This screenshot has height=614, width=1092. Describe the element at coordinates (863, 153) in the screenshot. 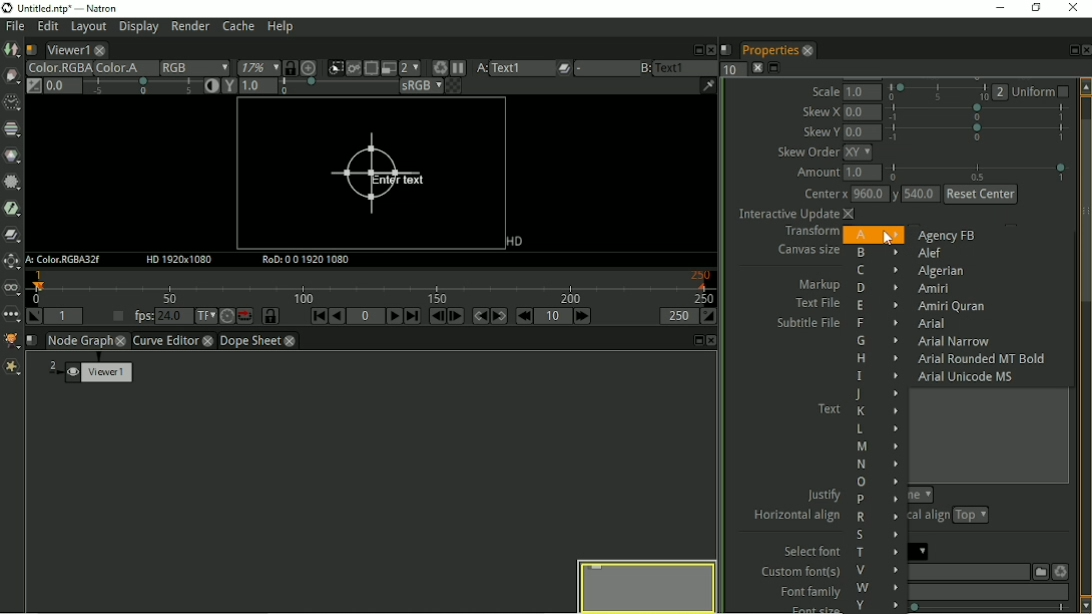

I see `xy` at that location.